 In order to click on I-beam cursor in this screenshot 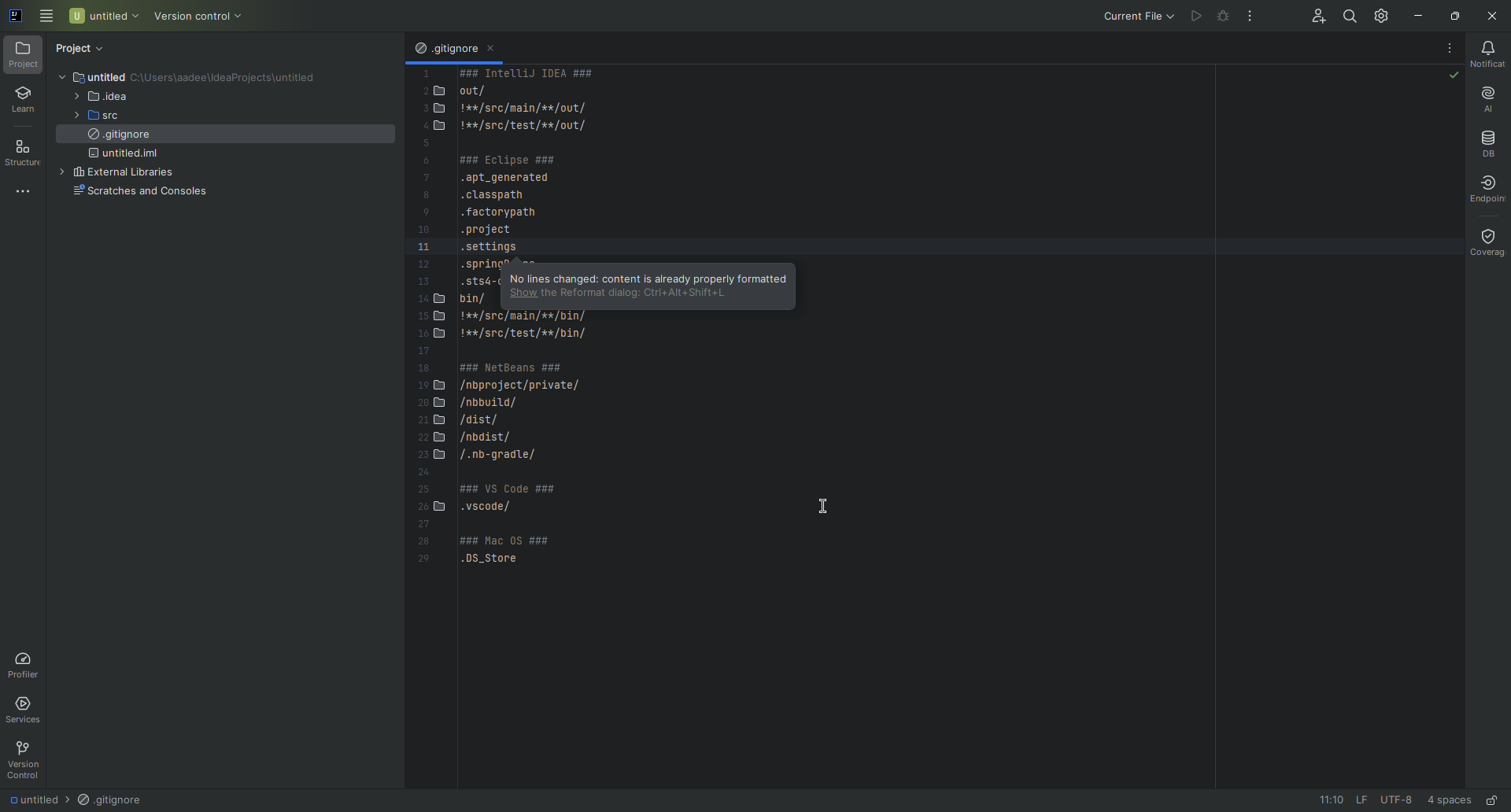, I will do `click(813, 503)`.